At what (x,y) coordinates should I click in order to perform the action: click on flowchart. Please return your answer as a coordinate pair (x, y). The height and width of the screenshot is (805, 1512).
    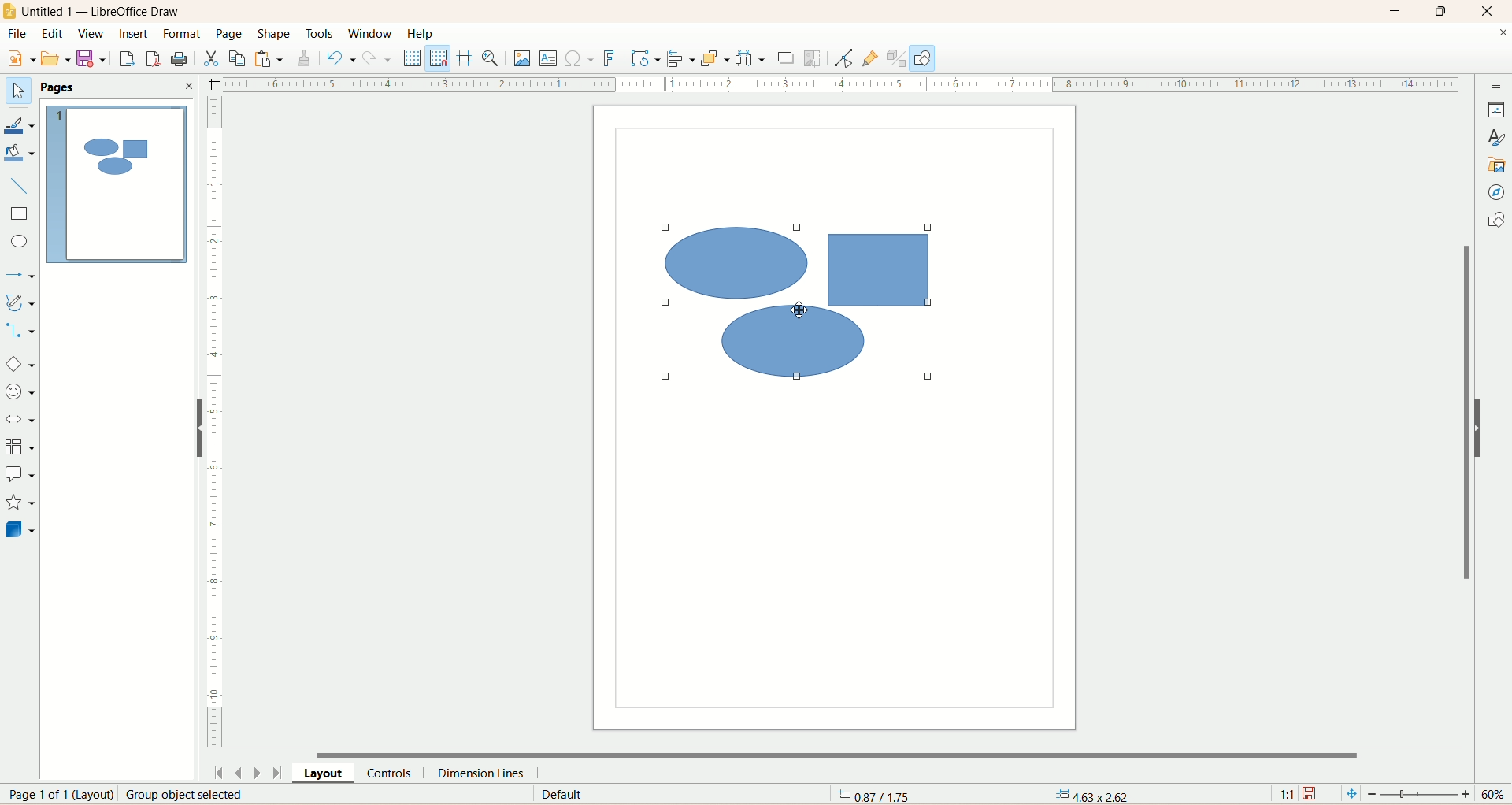
    Looking at the image, I should click on (20, 445).